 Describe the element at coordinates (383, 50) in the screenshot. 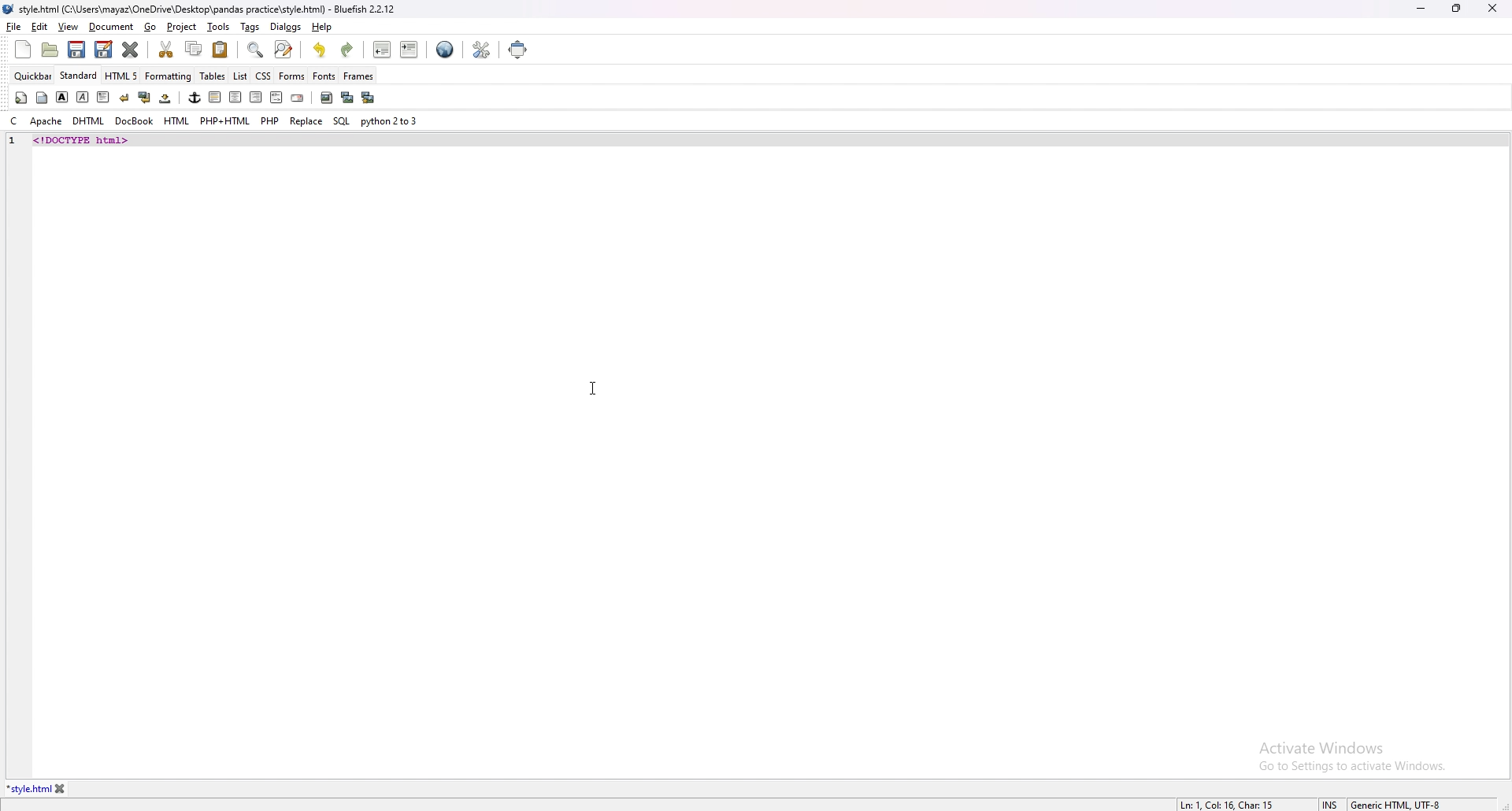

I see `unindent` at that location.